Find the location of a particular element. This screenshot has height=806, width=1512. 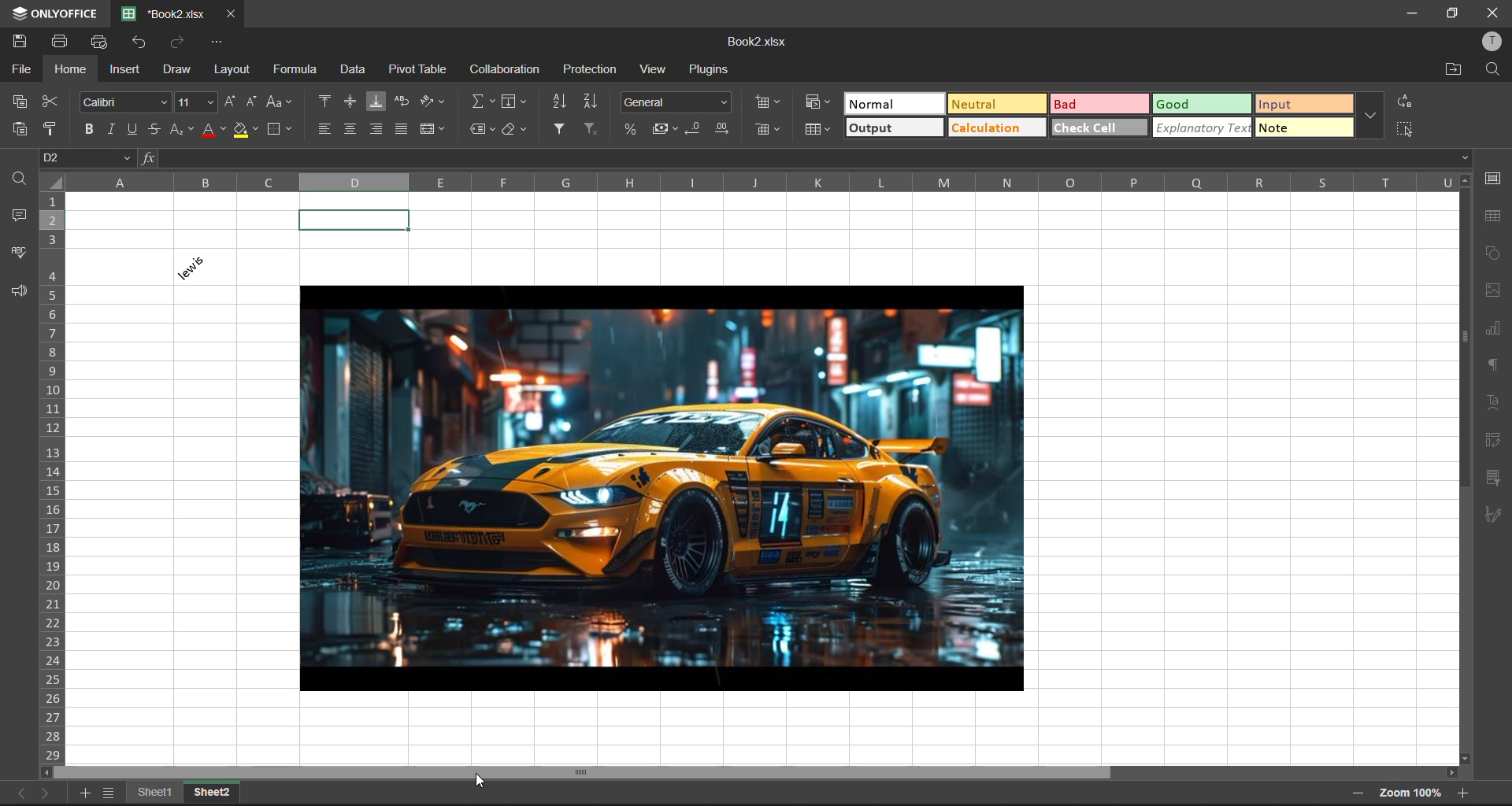

cell address is located at coordinates (87, 157).